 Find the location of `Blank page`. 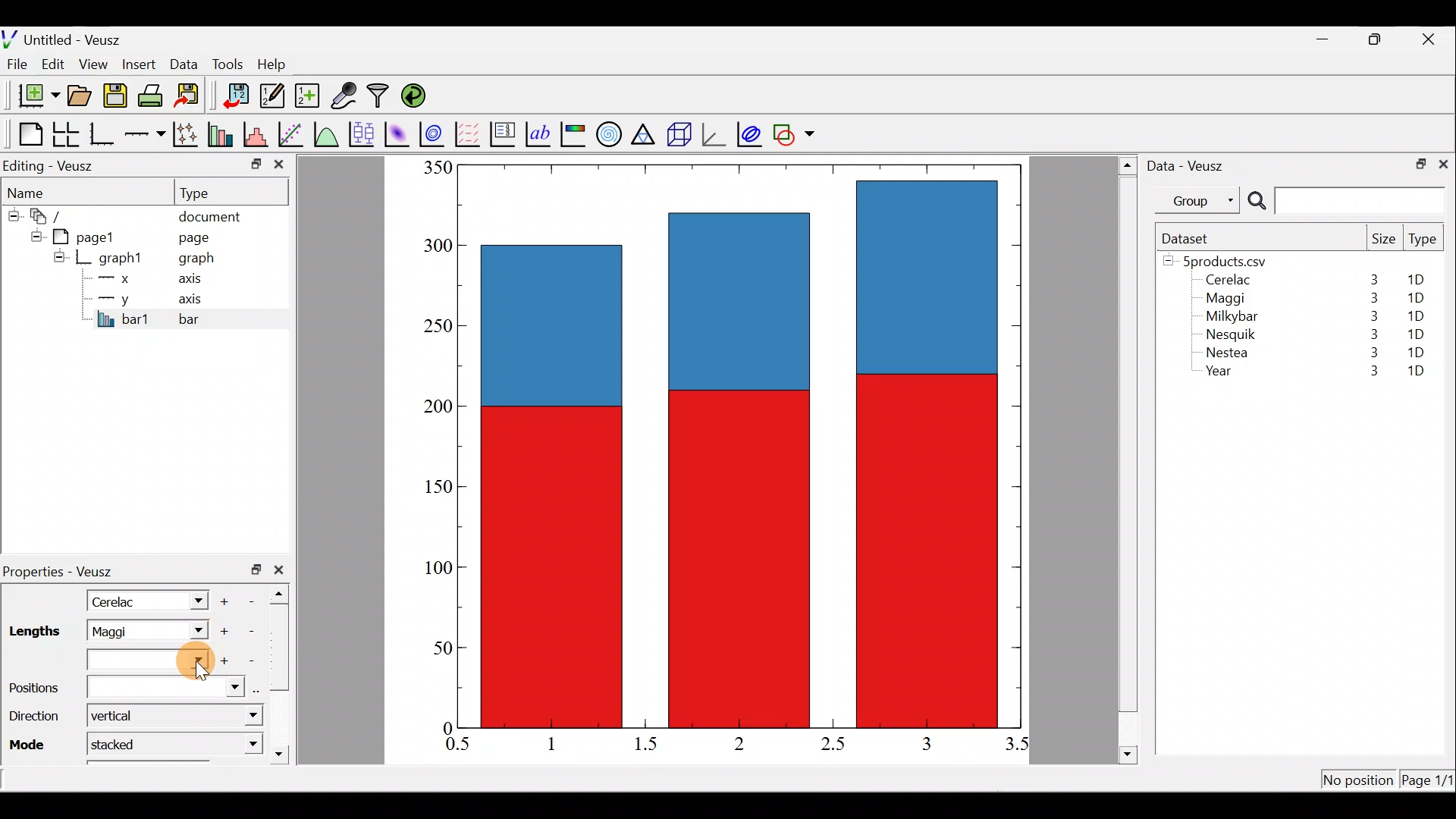

Blank page is located at coordinates (27, 134).